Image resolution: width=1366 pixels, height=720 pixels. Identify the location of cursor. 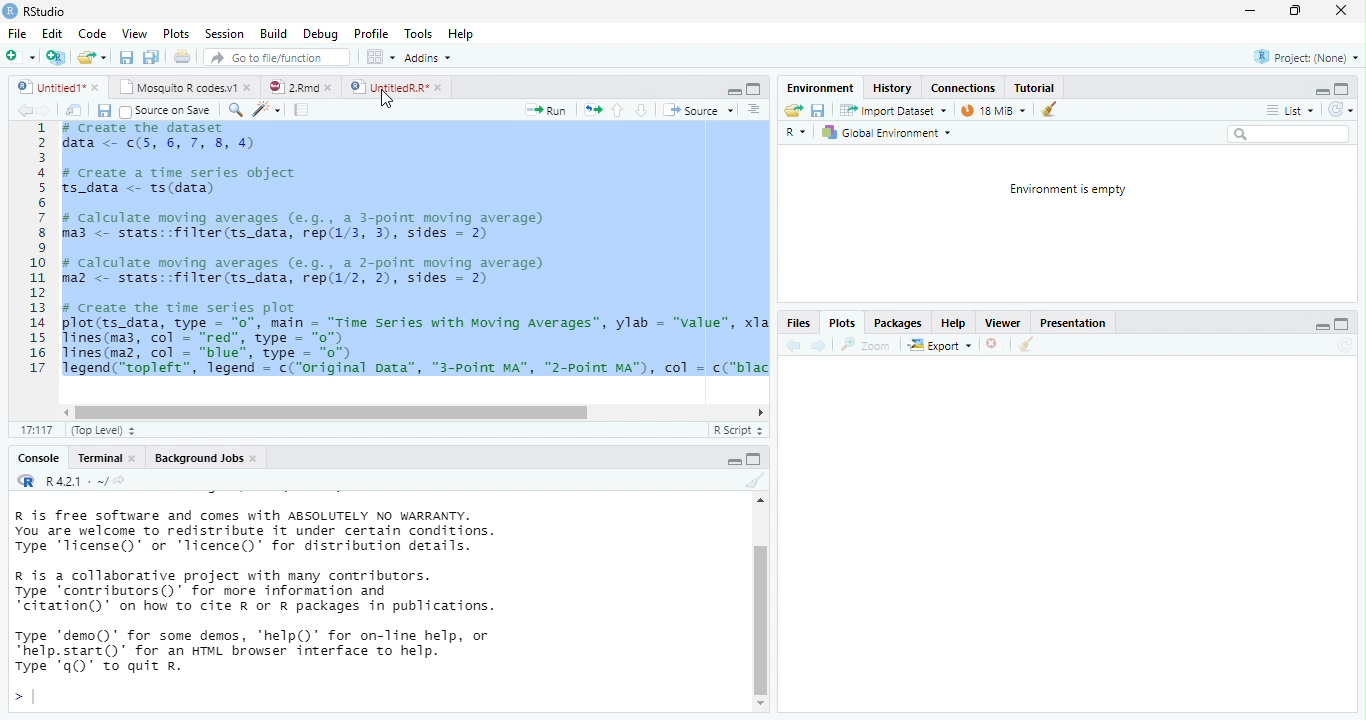
(387, 99).